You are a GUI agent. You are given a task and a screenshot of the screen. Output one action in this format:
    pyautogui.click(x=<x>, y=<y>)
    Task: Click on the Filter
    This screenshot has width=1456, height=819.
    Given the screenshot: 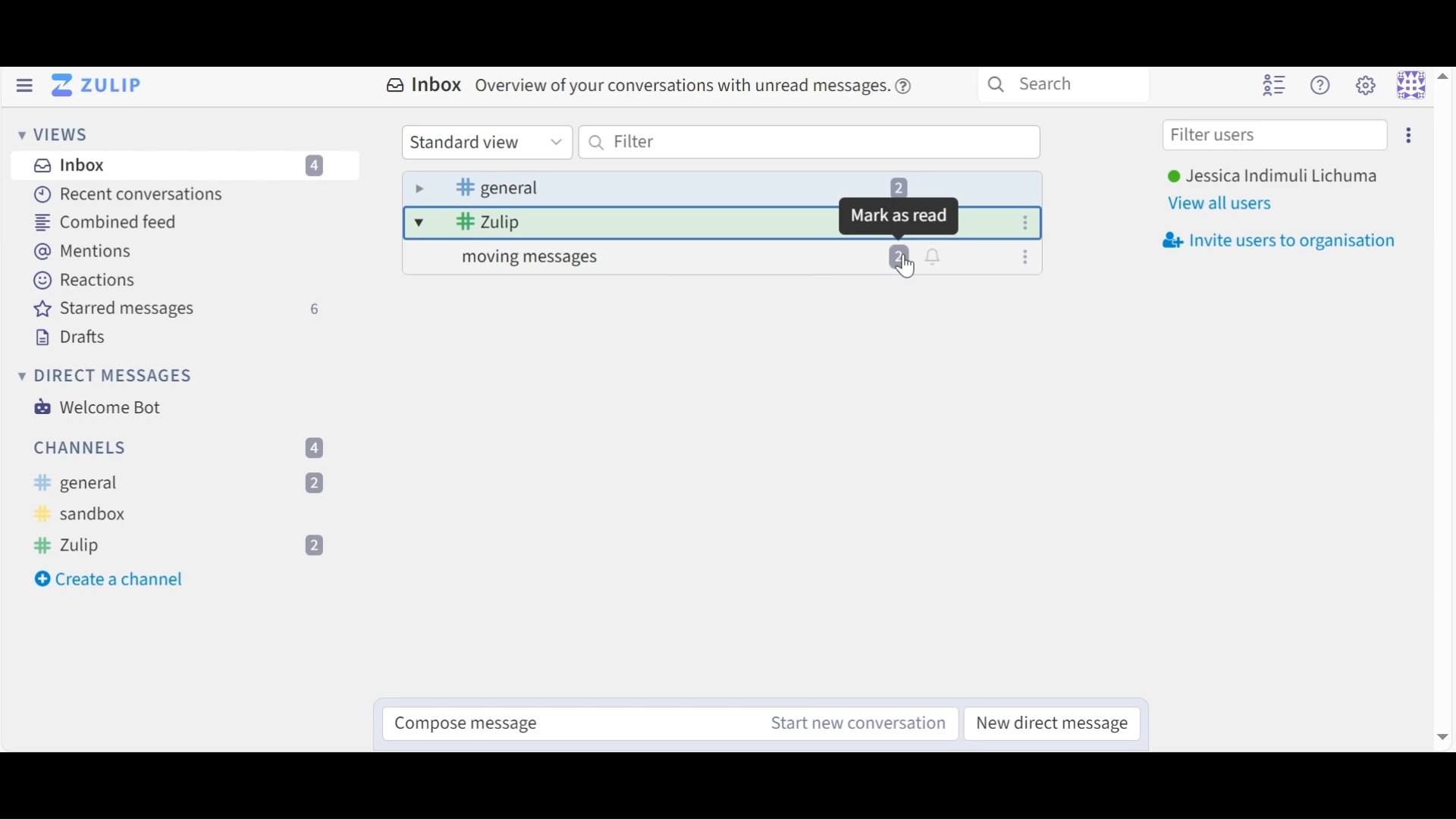 What is the action you would take?
    pyautogui.click(x=807, y=143)
    